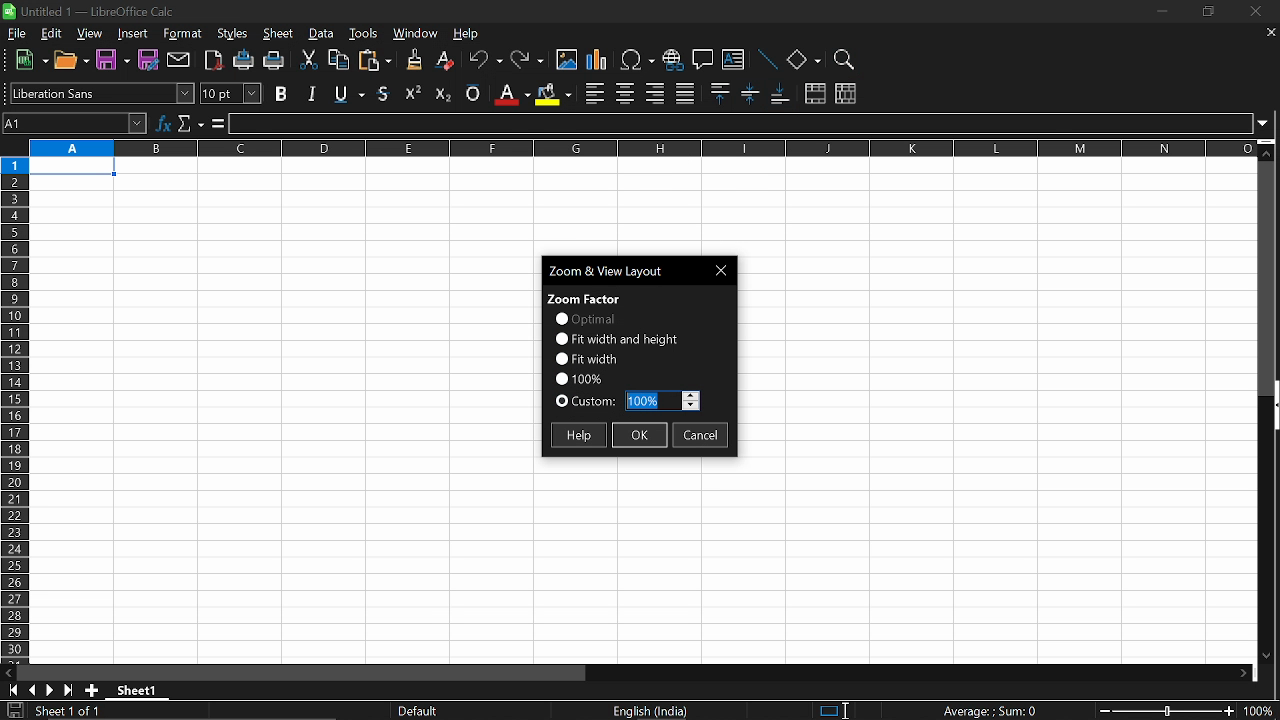 Image resolution: width=1280 pixels, height=720 pixels. Describe the element at coordinates (701, 437) in the screenshot. I see `cancel` at that location.